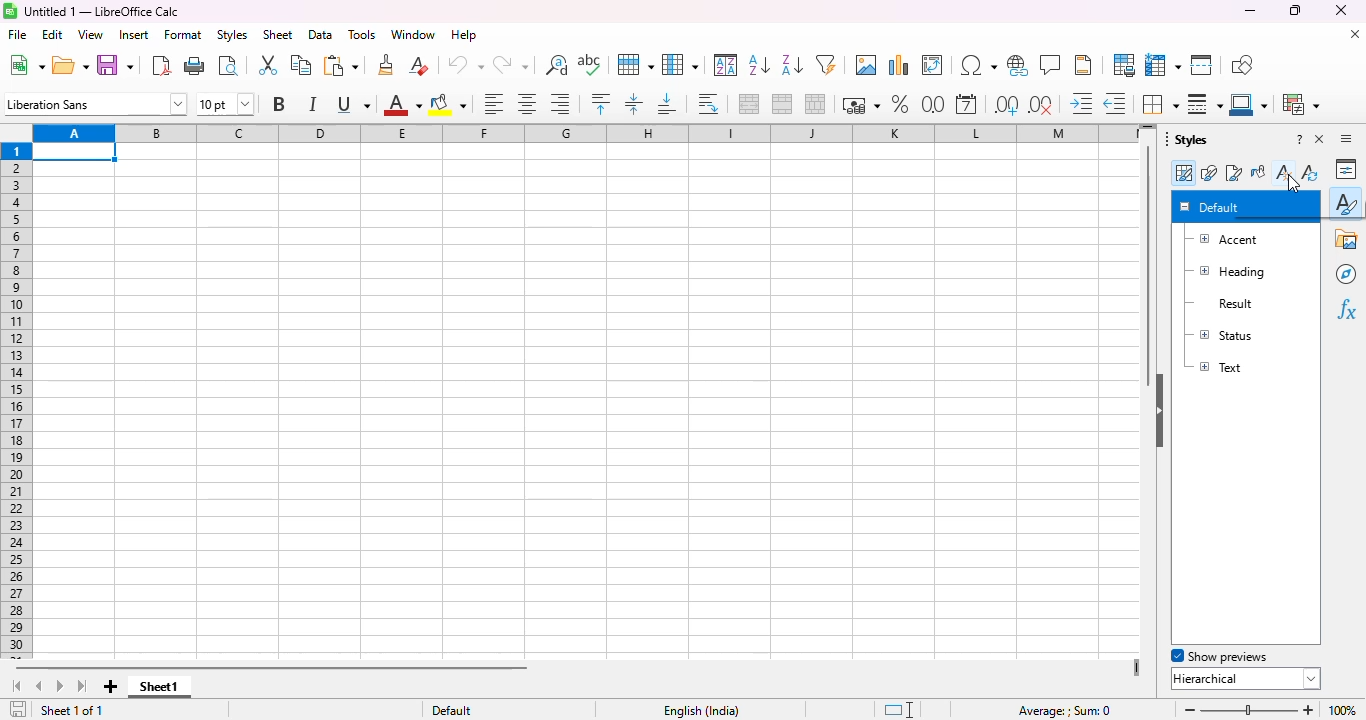 The height and width of the screenshot is (720, 1366). I want to click on update style, so click(1309, 171).